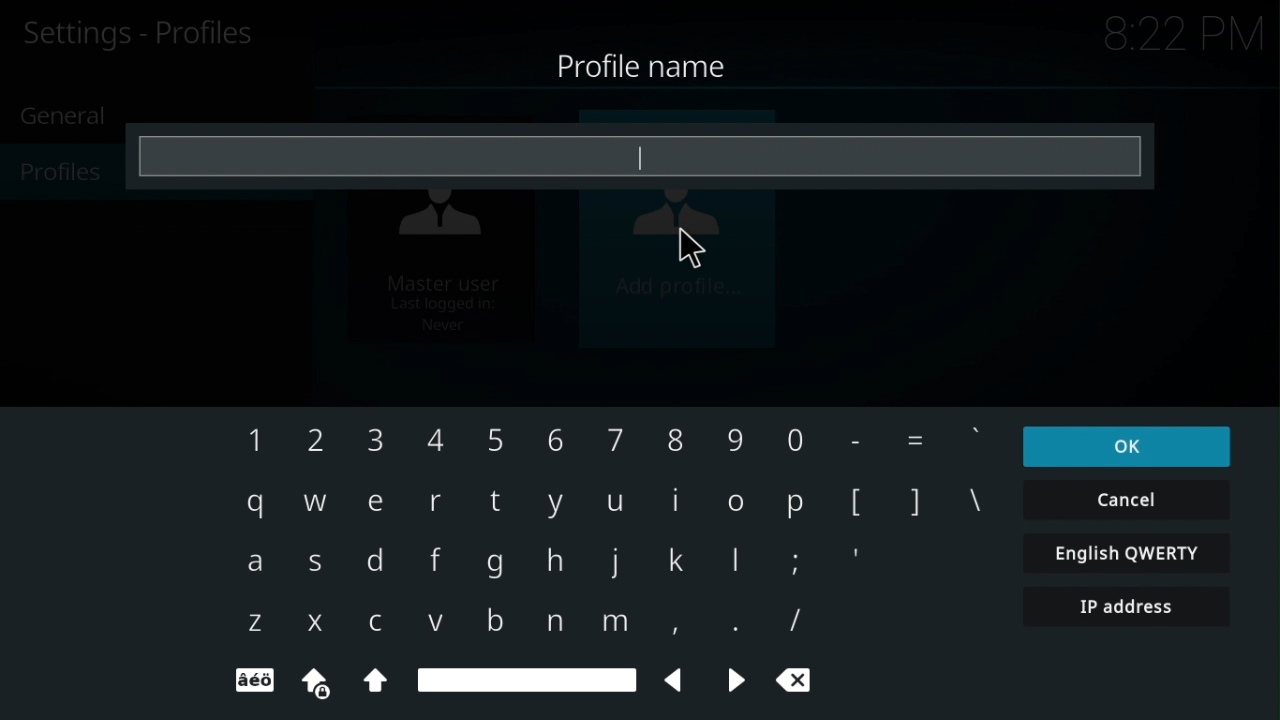 Image resolution: width=1280 pixels, height=720 pixels. What do you see at coordinates (677, 680) in the screenshot?
I see `backward` at bounding box center [677, 680].